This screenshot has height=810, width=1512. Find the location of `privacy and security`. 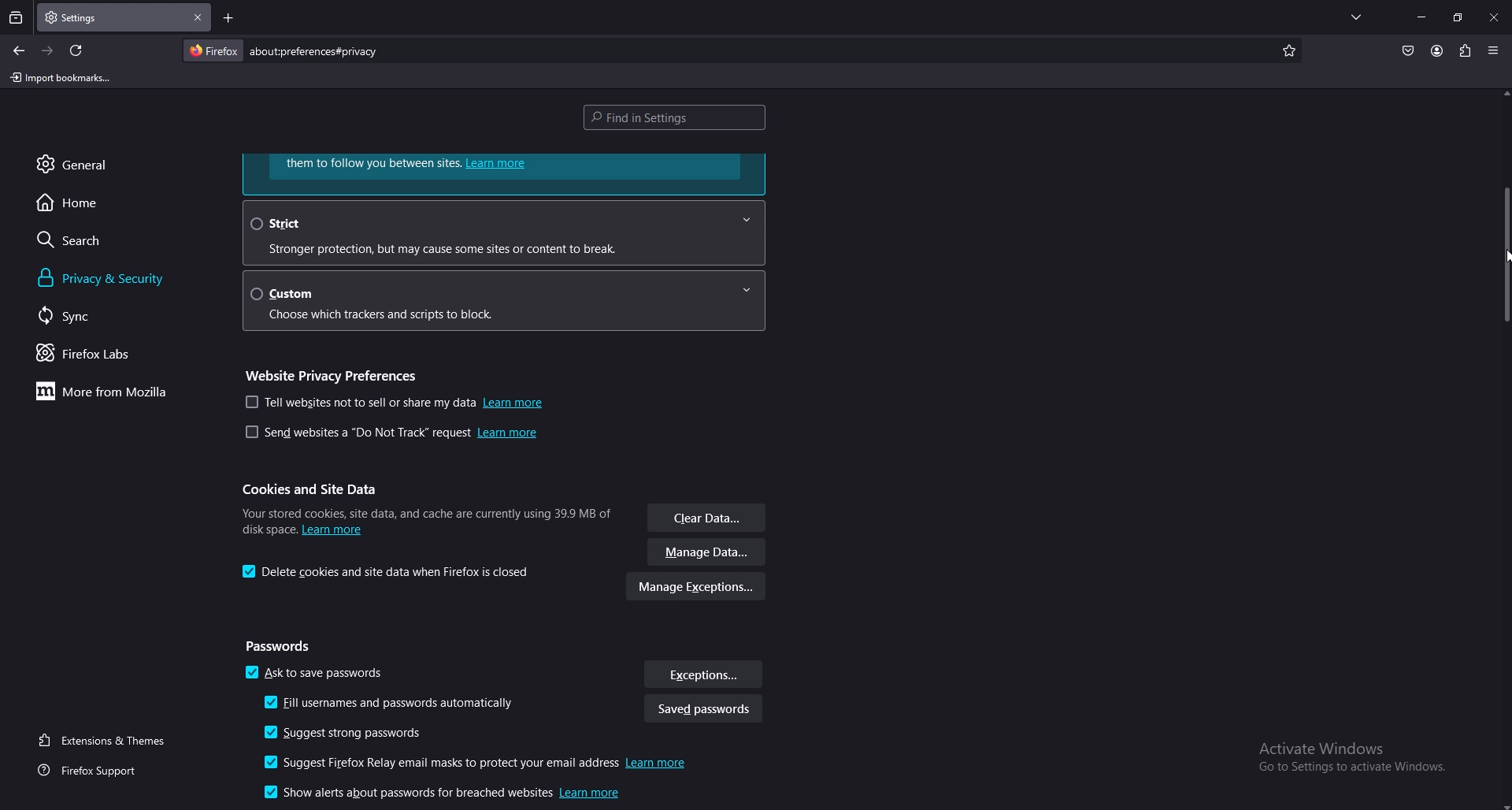

privacy and security is located at coordinates (128, 278).